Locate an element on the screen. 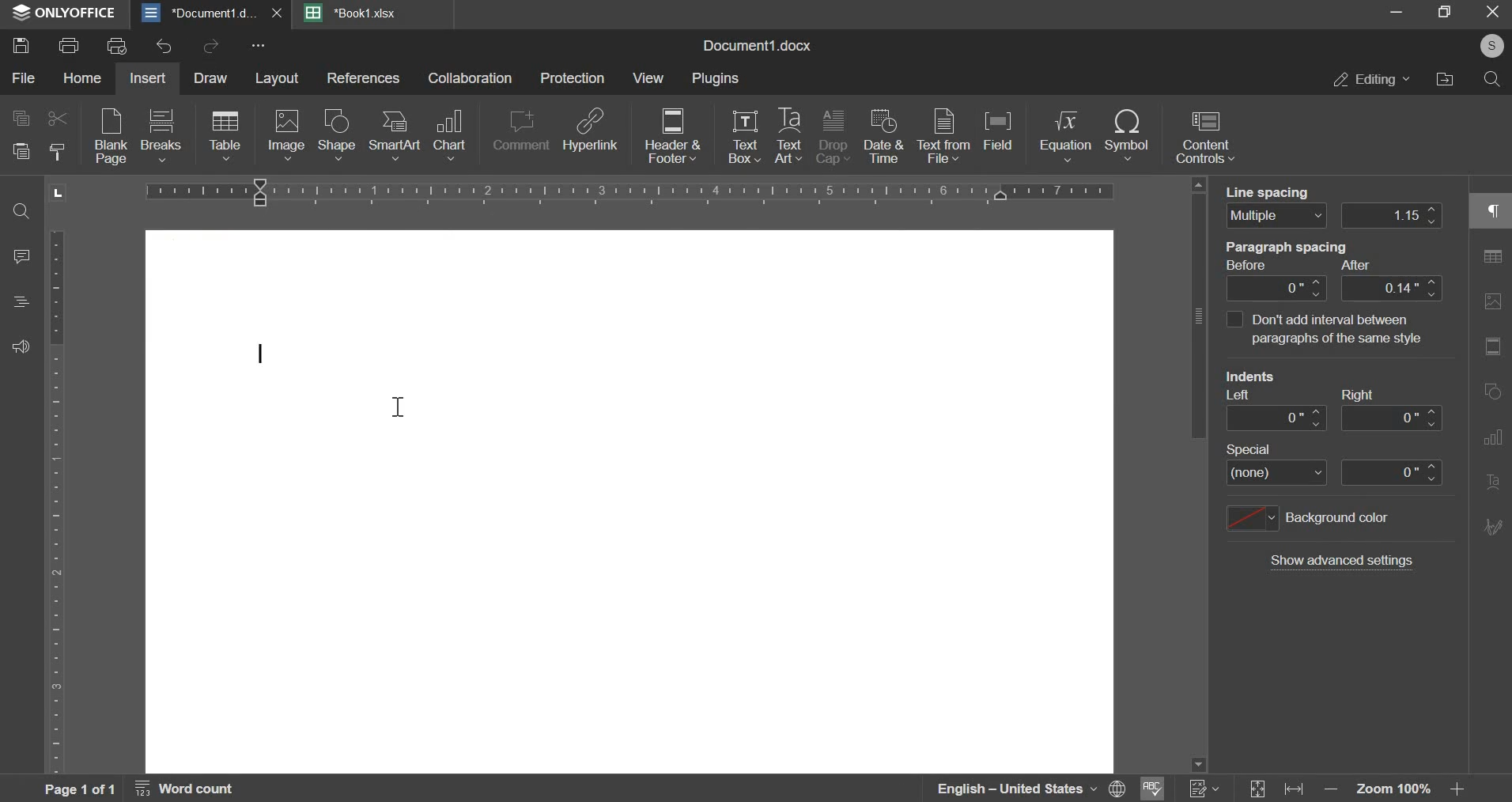  exit is located at coordinates (1493, 13).